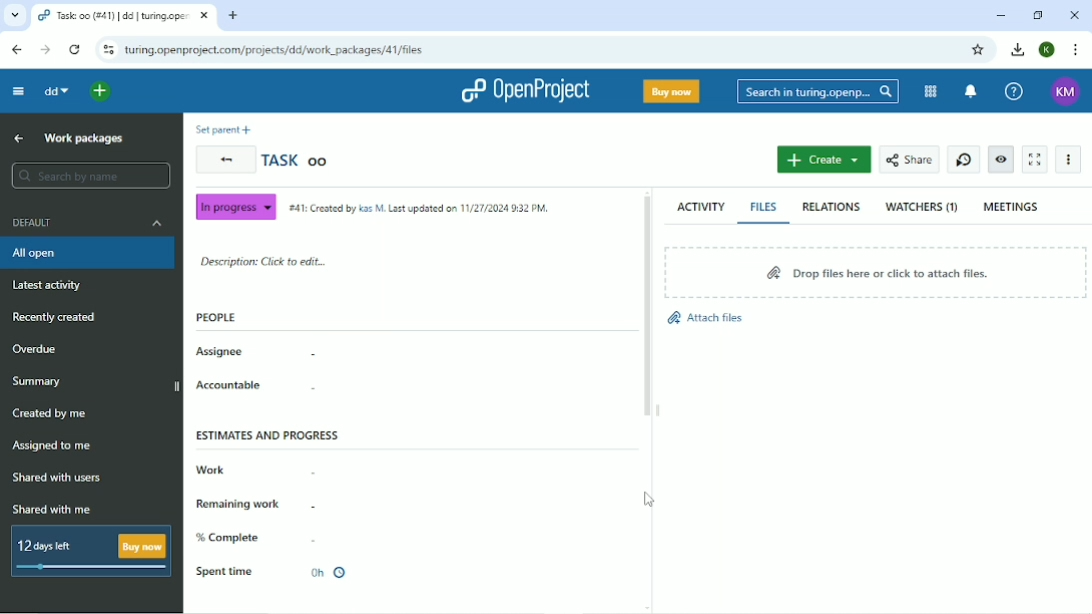  Describe the element at coordinates (235, 207) in the screenshot. I see `In progress` at that location.